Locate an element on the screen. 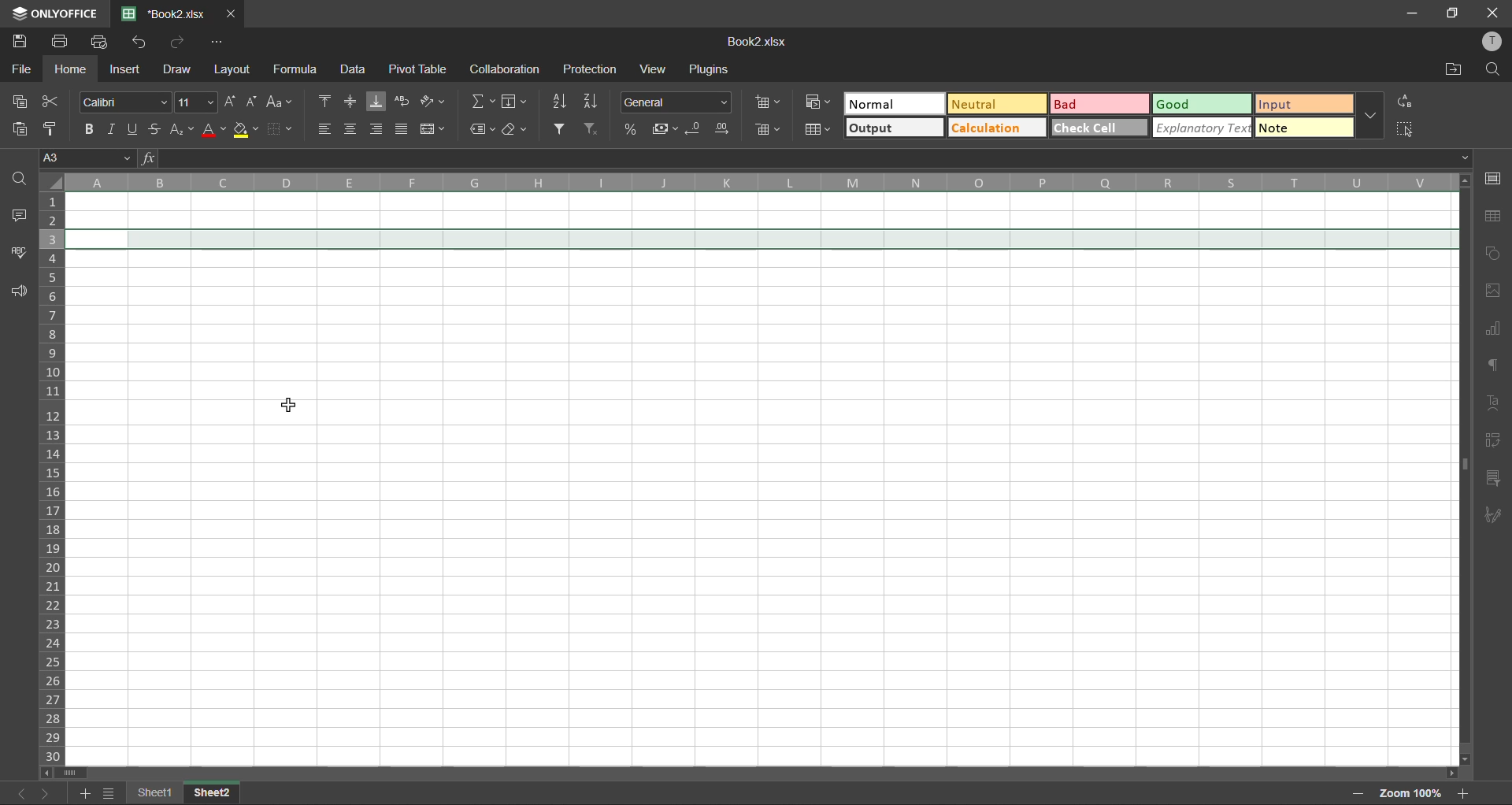  print is located at coordinates (59, 42).